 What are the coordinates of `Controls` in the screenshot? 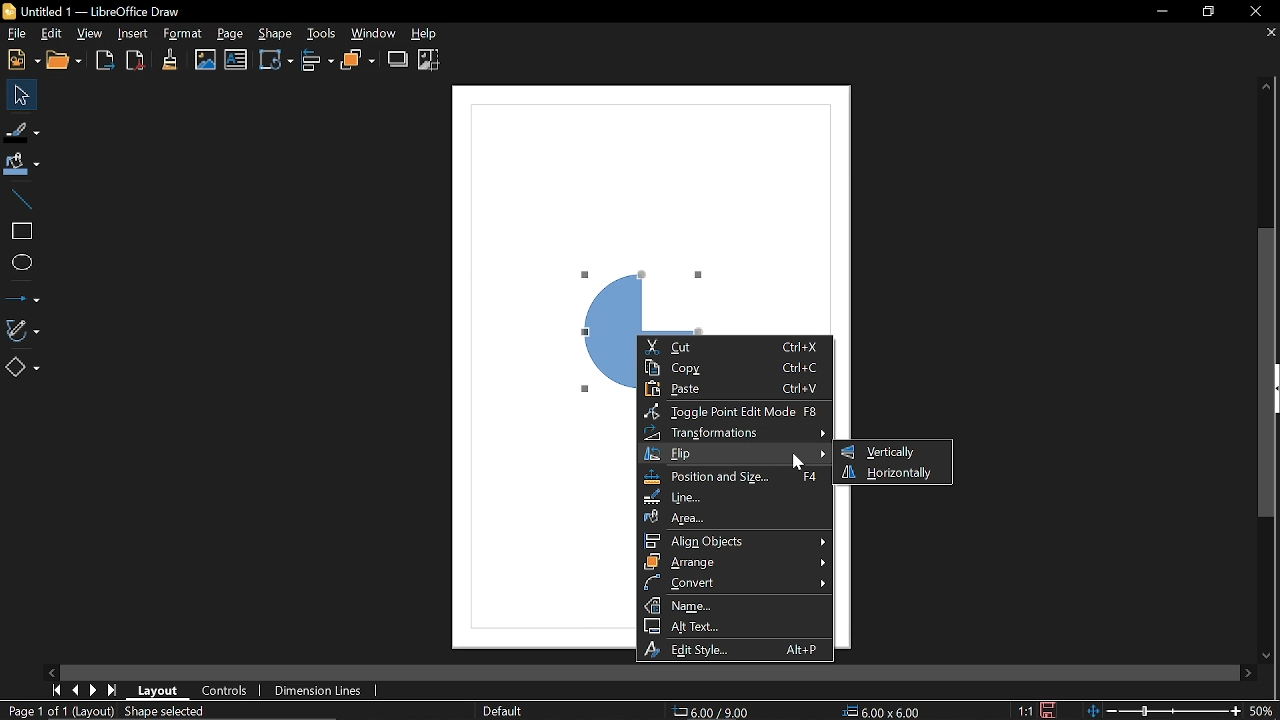 It's located at (227, 690).